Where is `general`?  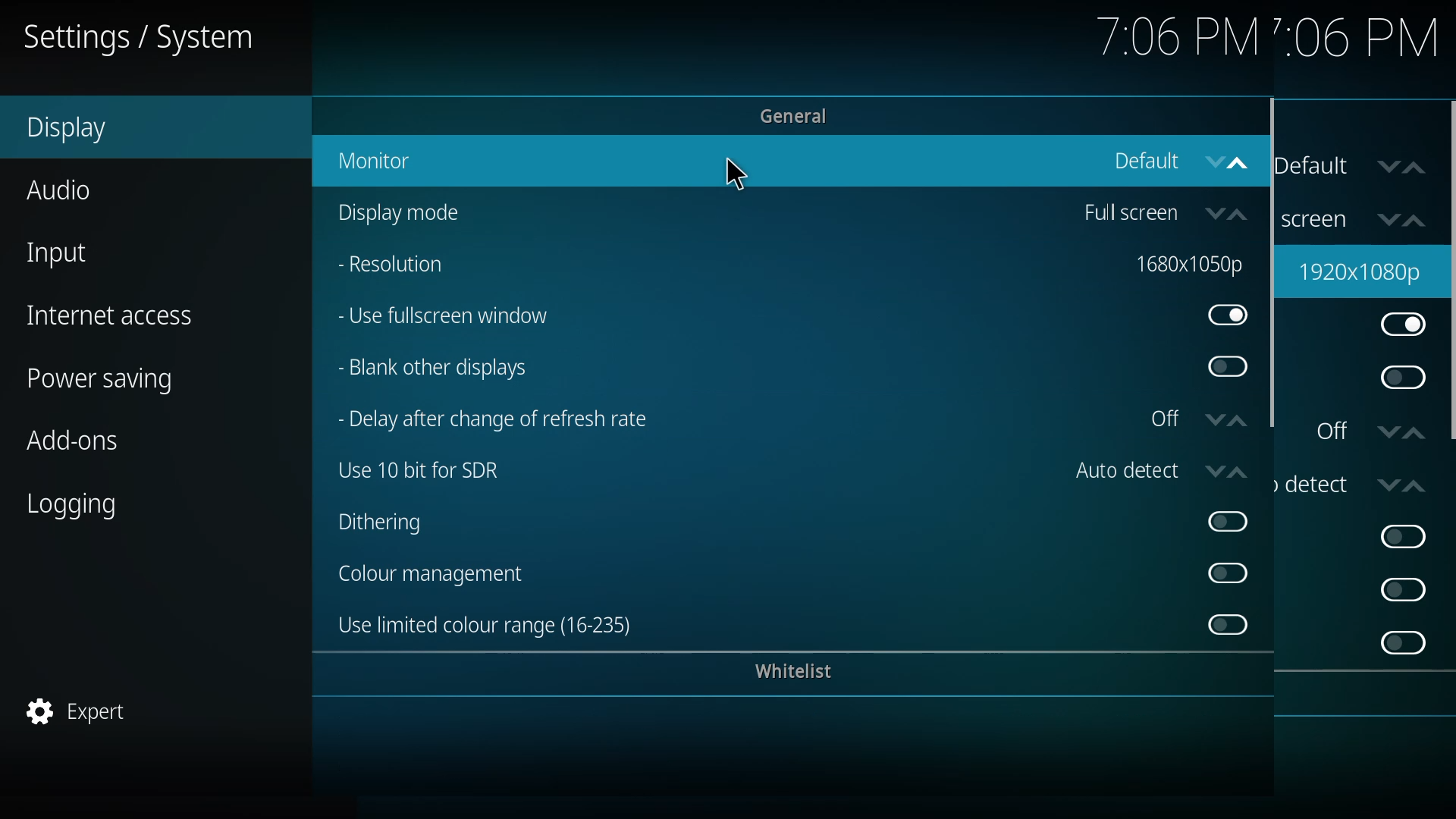
general is located at coordinates (788, 118).